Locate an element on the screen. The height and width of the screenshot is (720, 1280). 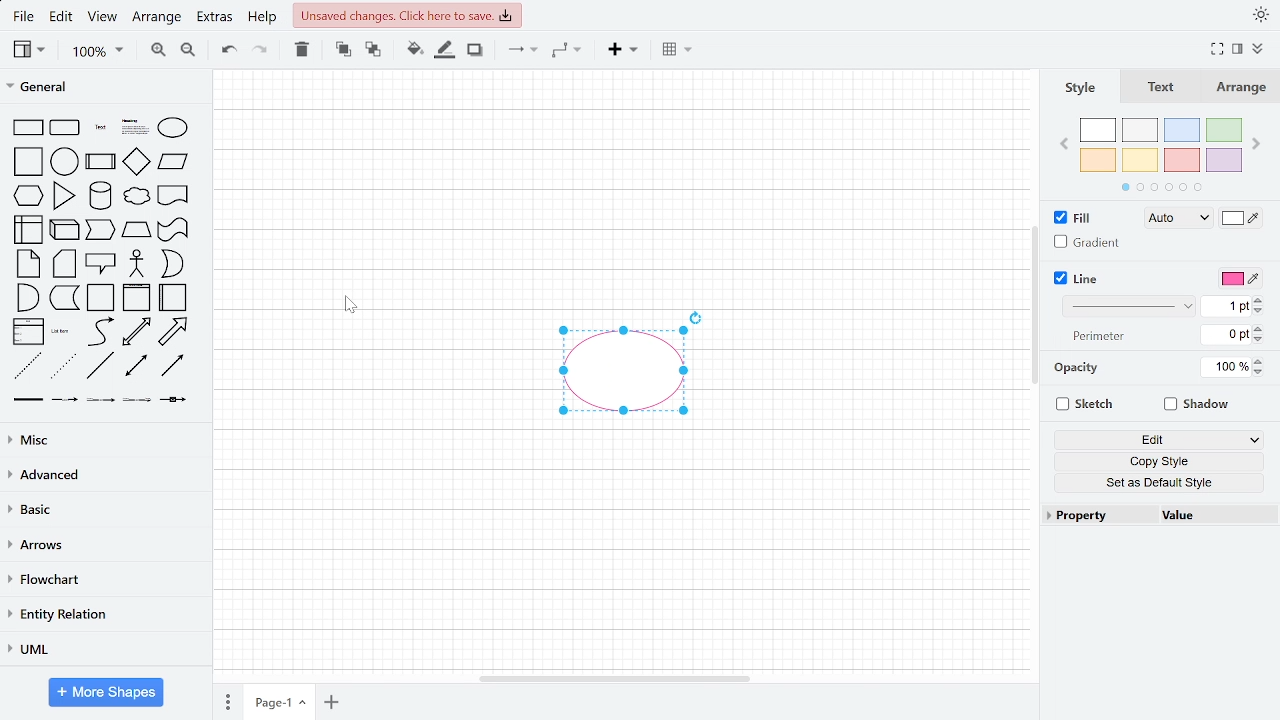
list is located at coordinates (26, 332).